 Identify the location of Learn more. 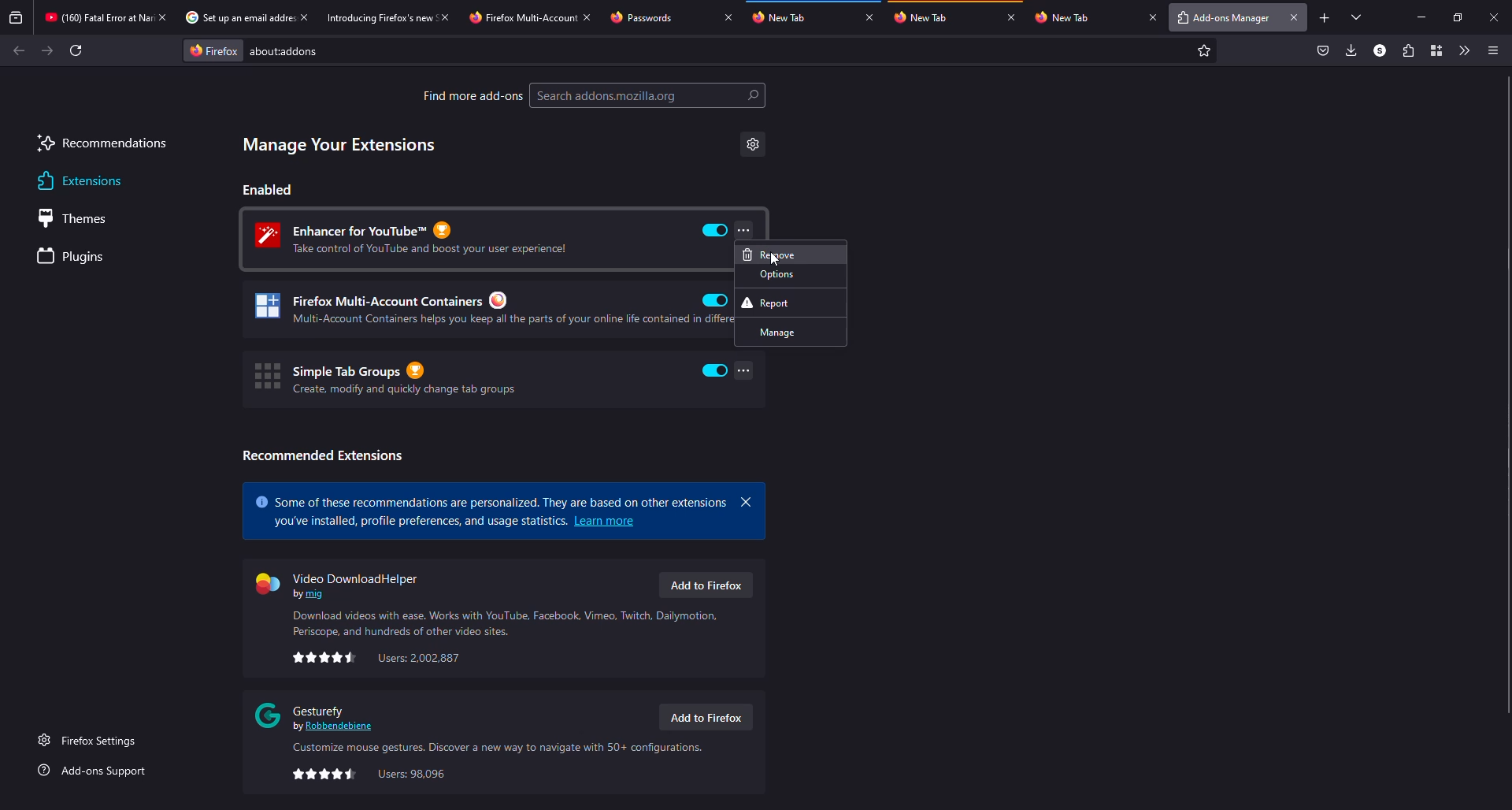
(606, 521).